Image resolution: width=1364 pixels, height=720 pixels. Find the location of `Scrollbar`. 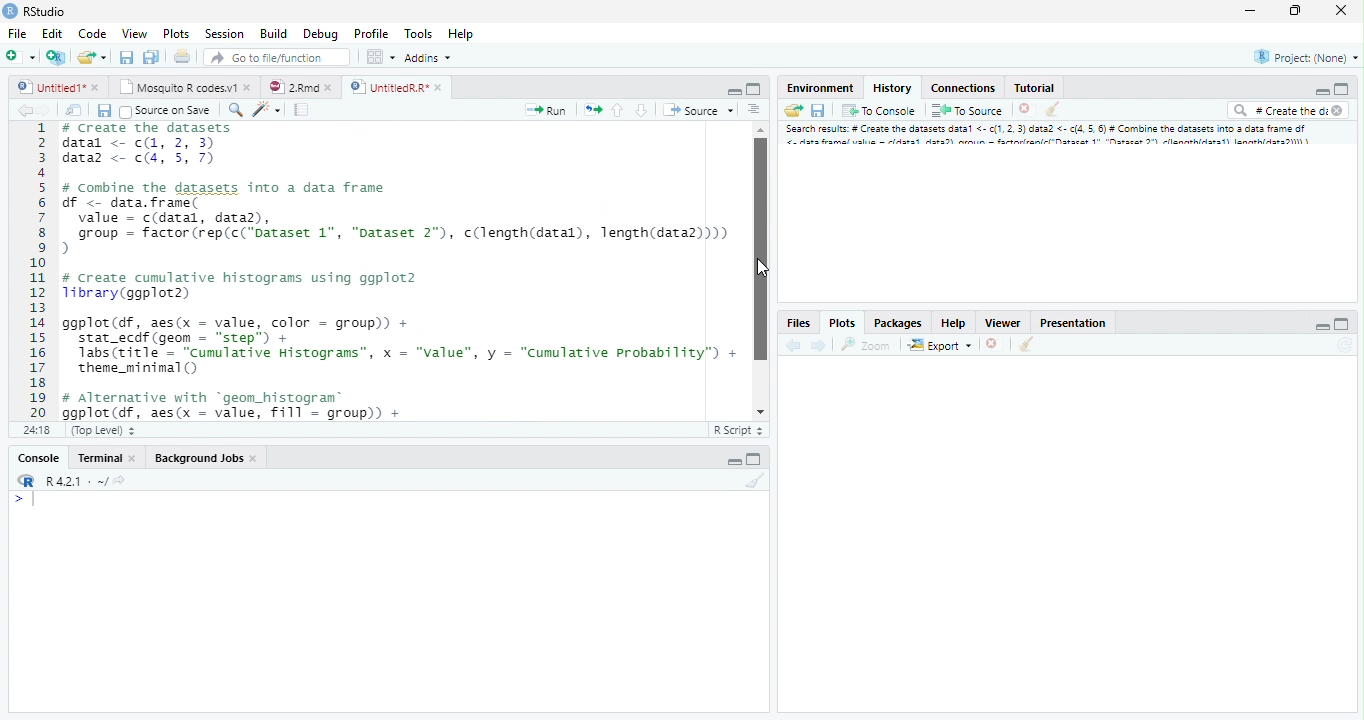

Scrollbar is located at coordinates (759, 268).